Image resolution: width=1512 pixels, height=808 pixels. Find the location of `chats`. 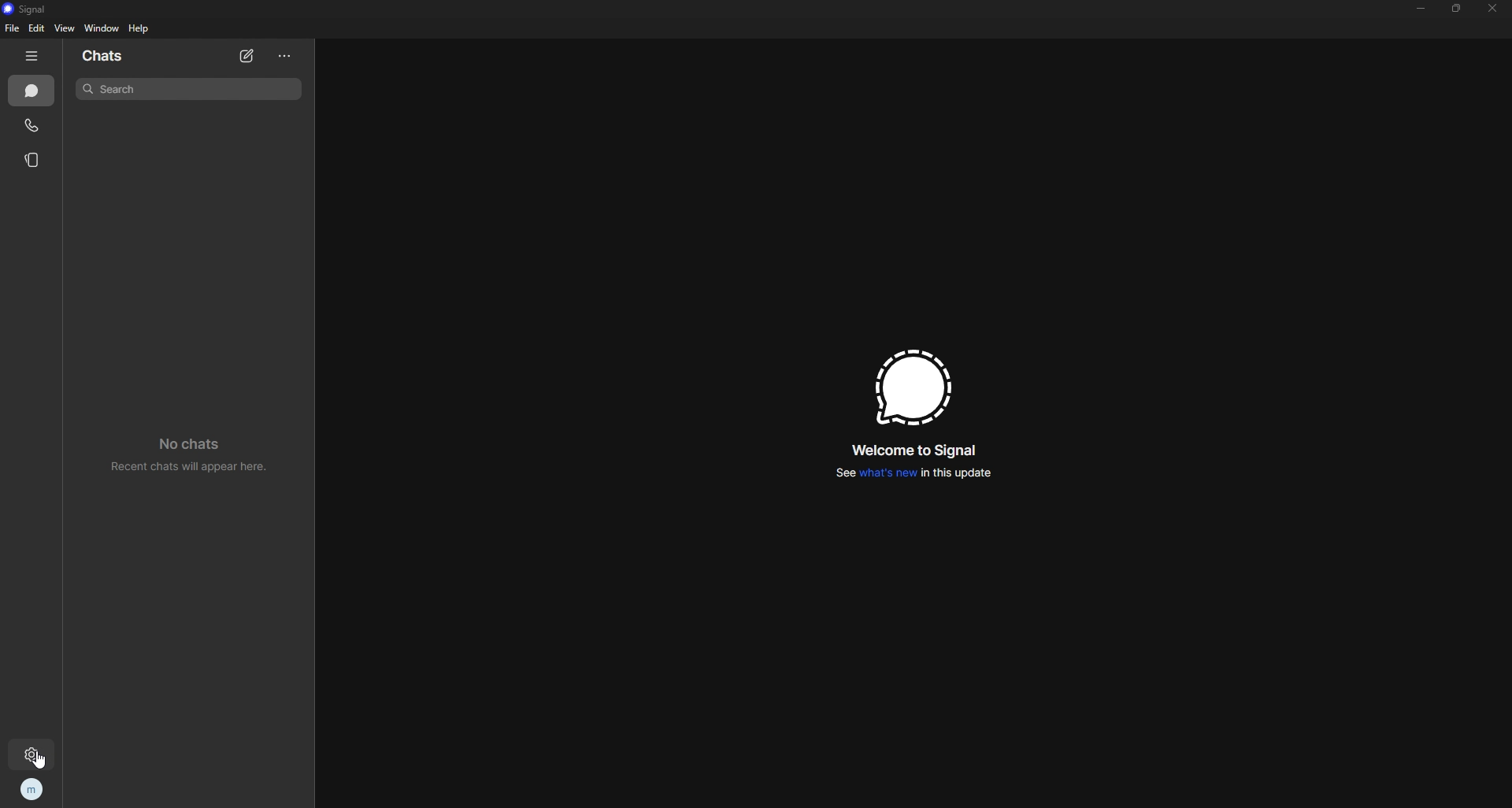

chats is located at coordinates (107, 57).